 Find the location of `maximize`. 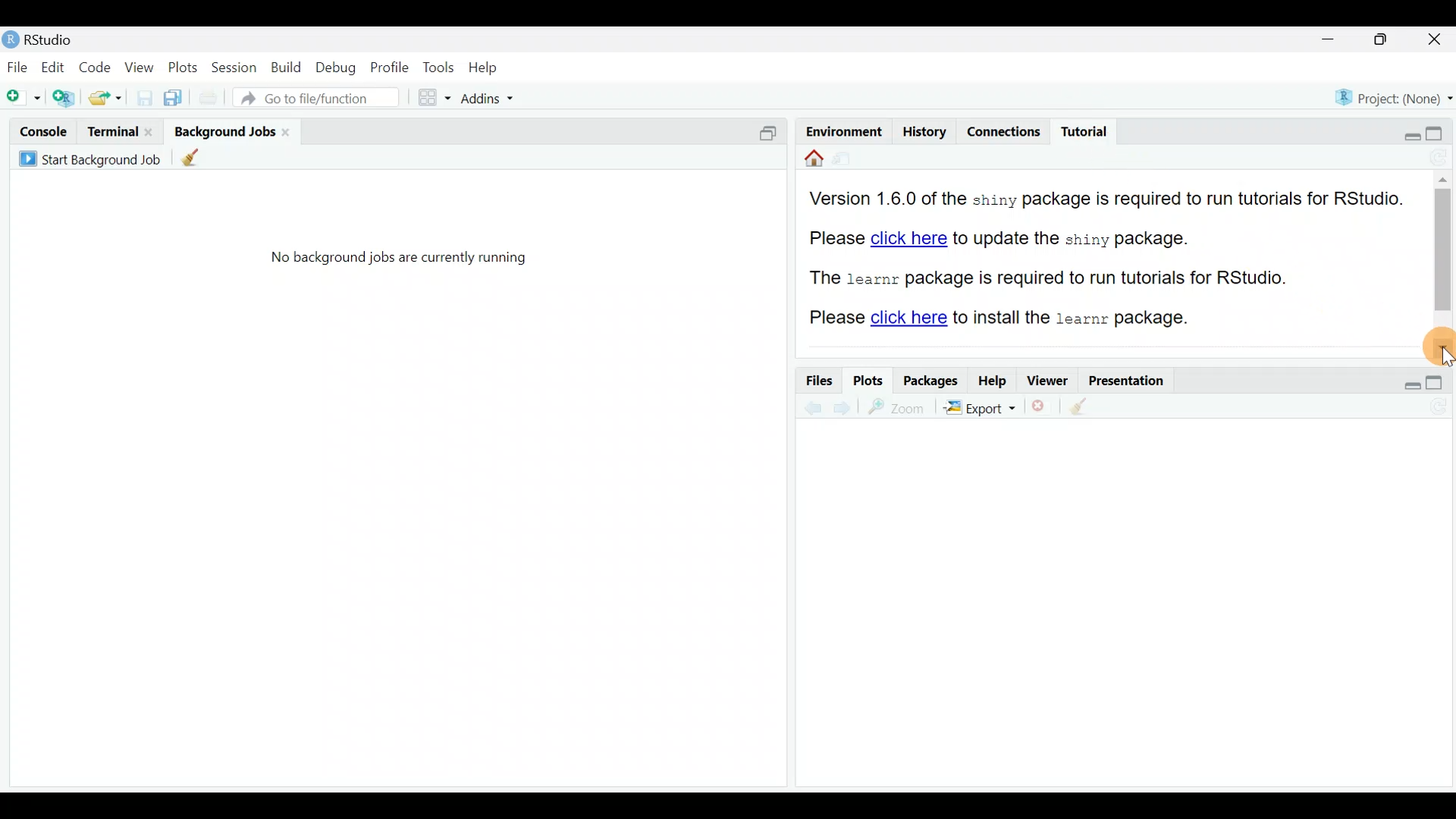

maximize is located at coordinates (1439, 381).